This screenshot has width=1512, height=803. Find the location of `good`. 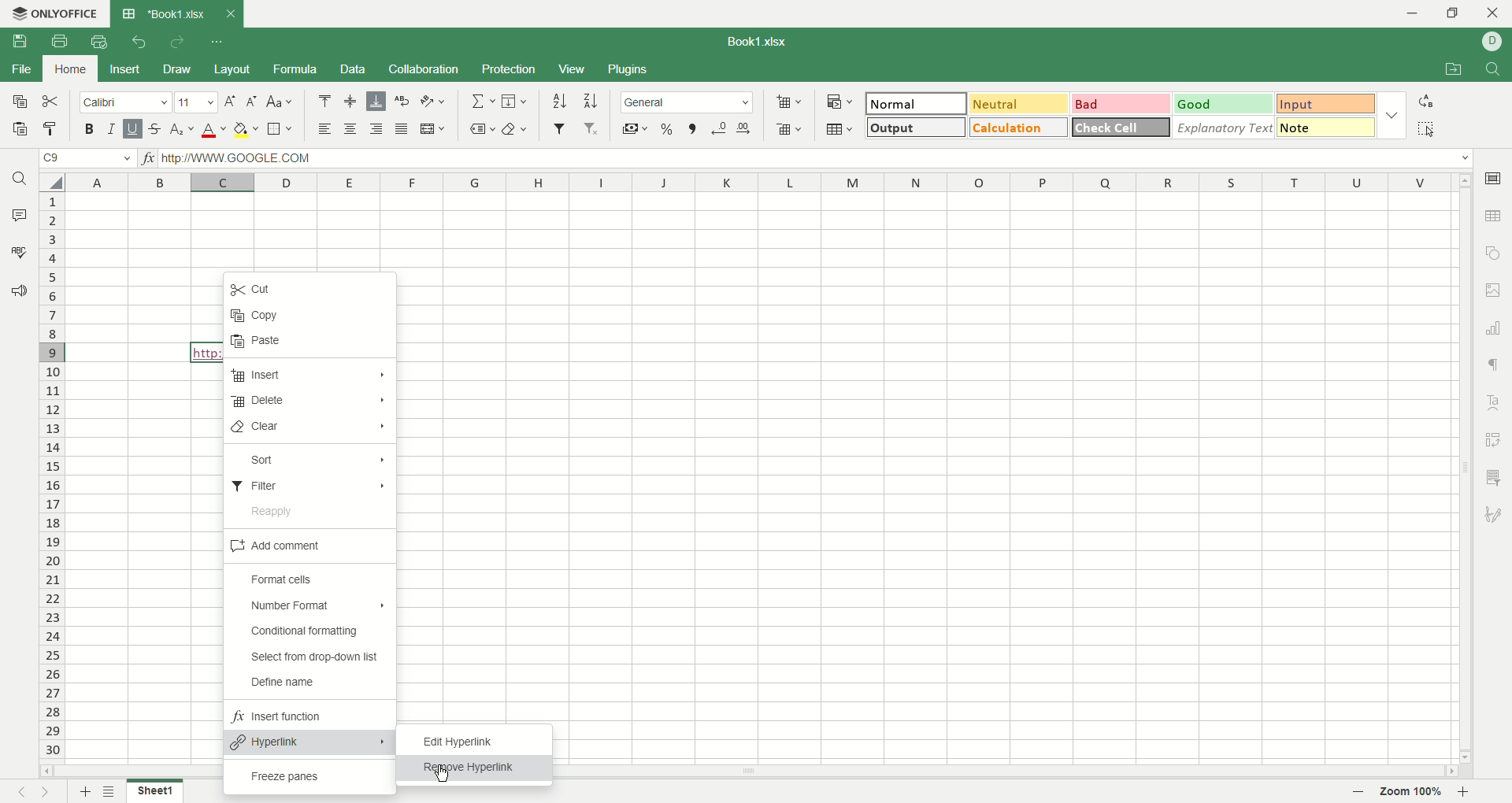

good is located at coordinates (1222, 103).